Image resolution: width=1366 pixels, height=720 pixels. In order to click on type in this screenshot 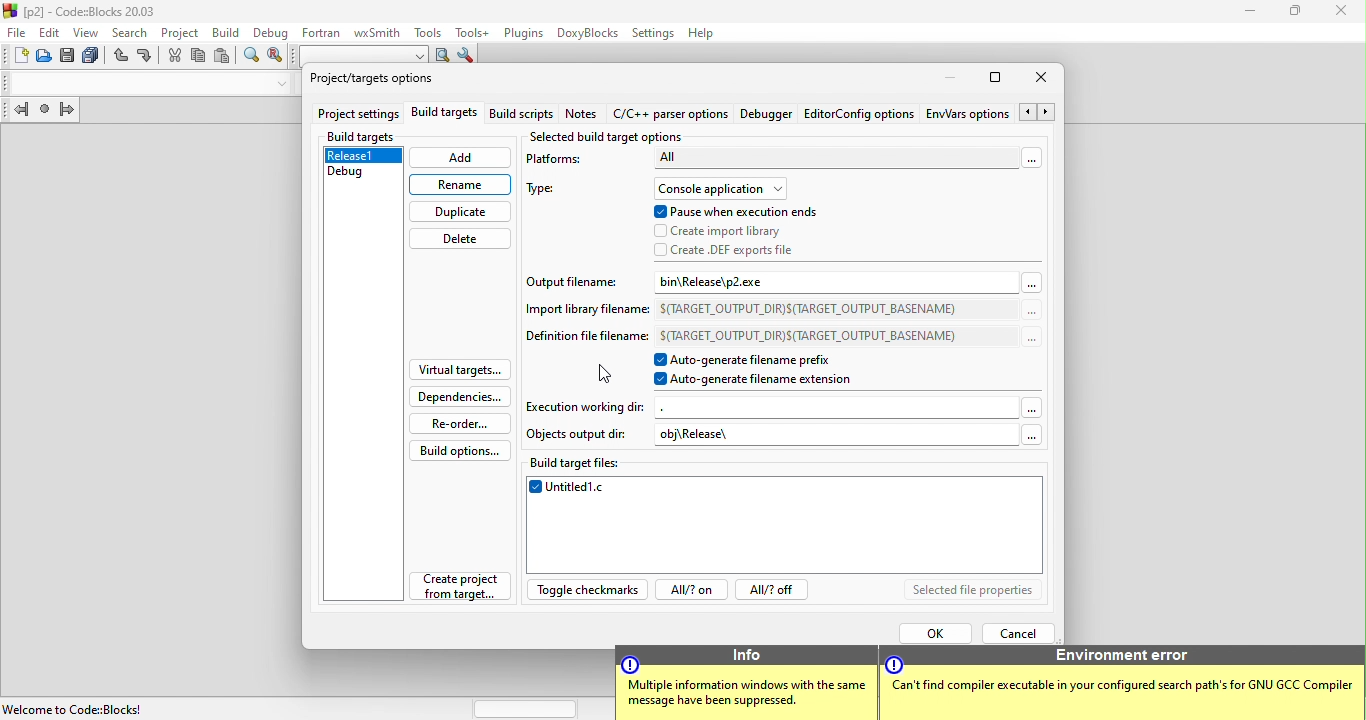, I will do `click(549, 191)`.